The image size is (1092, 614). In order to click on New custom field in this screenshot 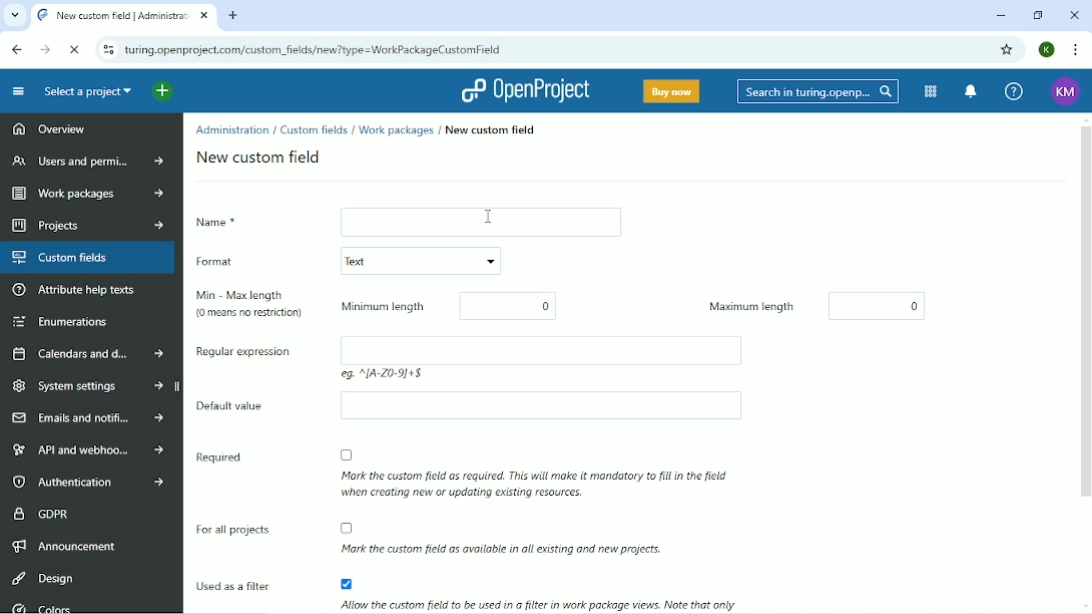, I will do `click(491, 129)`.